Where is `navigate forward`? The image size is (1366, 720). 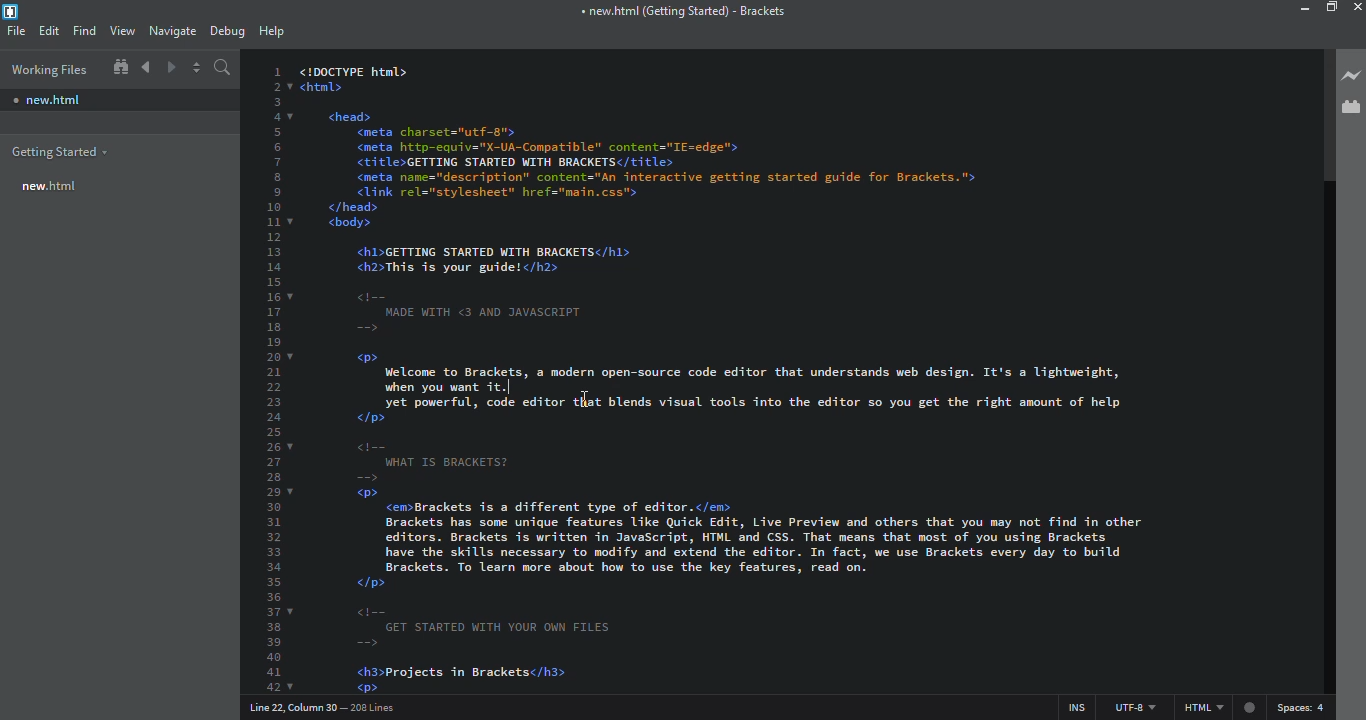 navigate forward is located at coordinates (173, 67).